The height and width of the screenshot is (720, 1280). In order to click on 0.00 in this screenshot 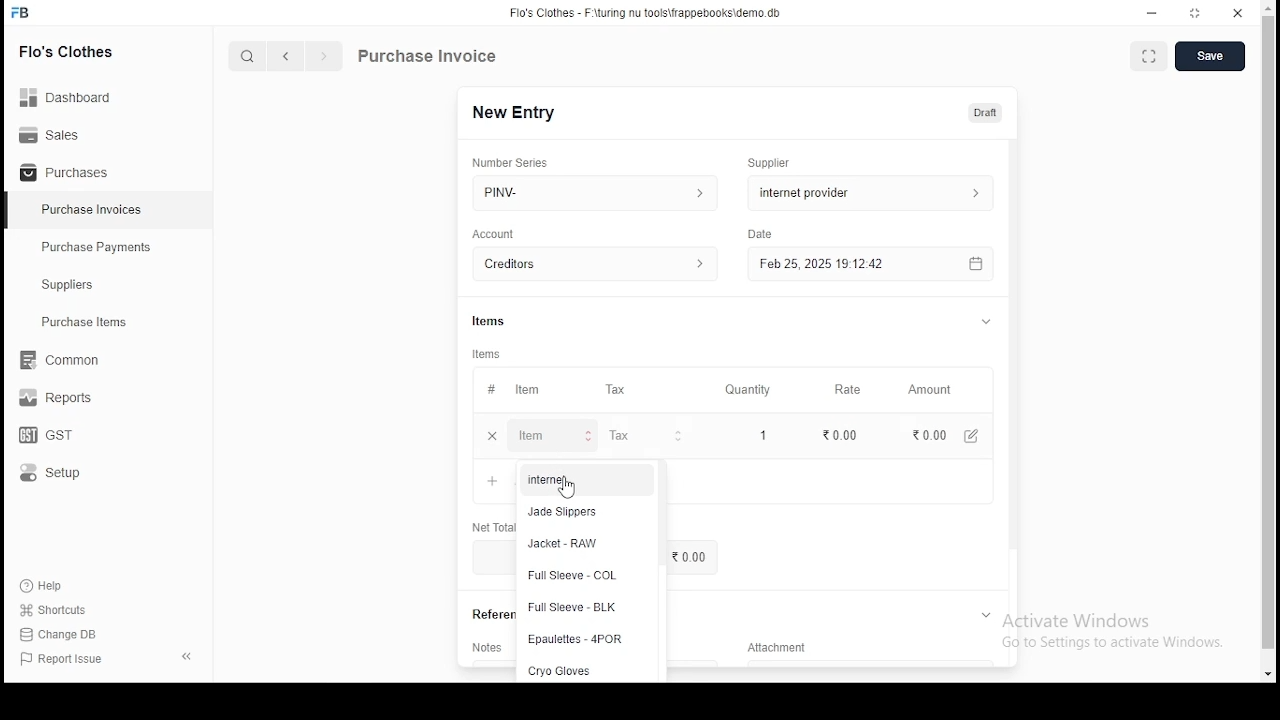, I will do `click(923, 435)`.